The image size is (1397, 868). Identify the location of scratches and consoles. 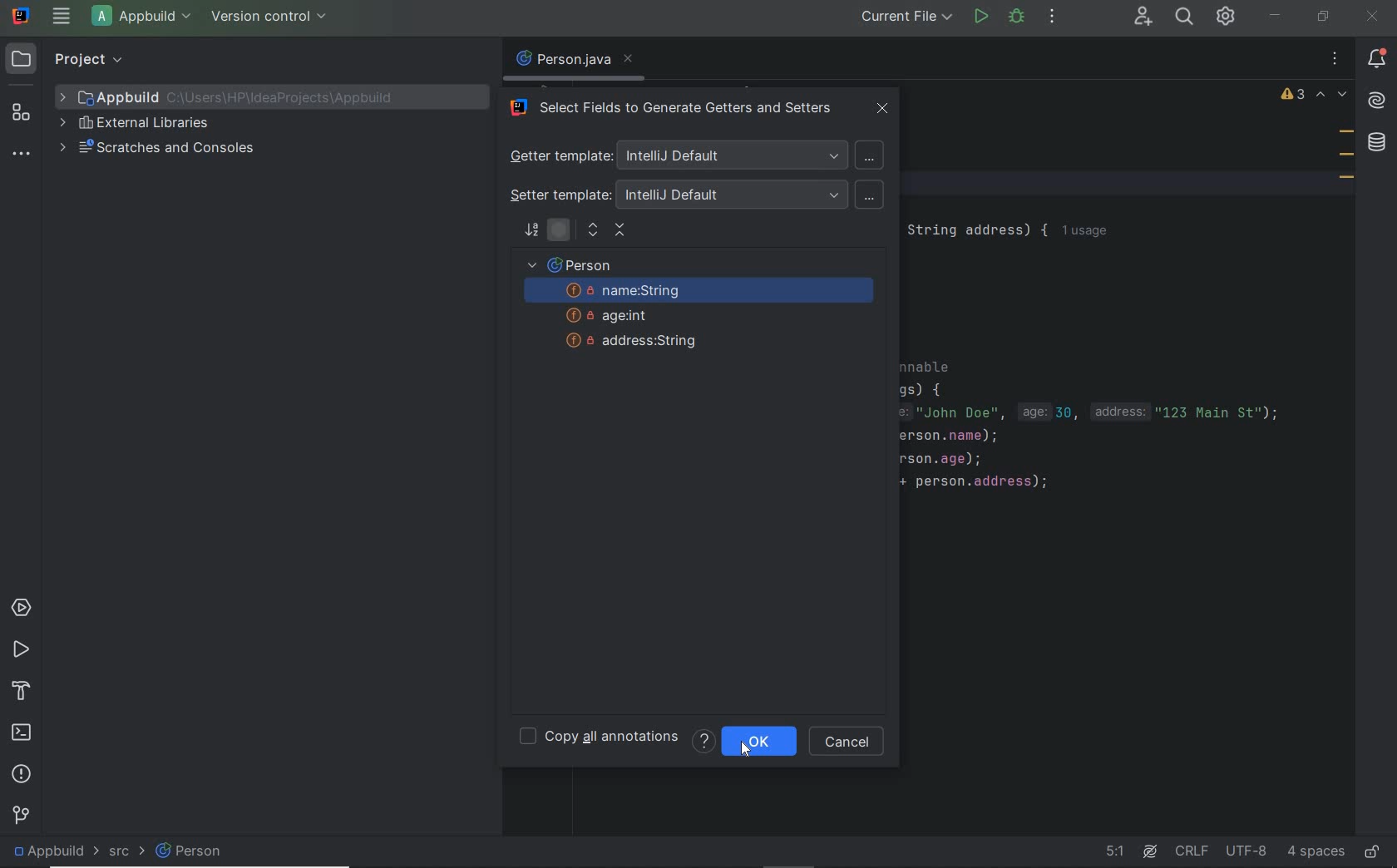
(160, 147).